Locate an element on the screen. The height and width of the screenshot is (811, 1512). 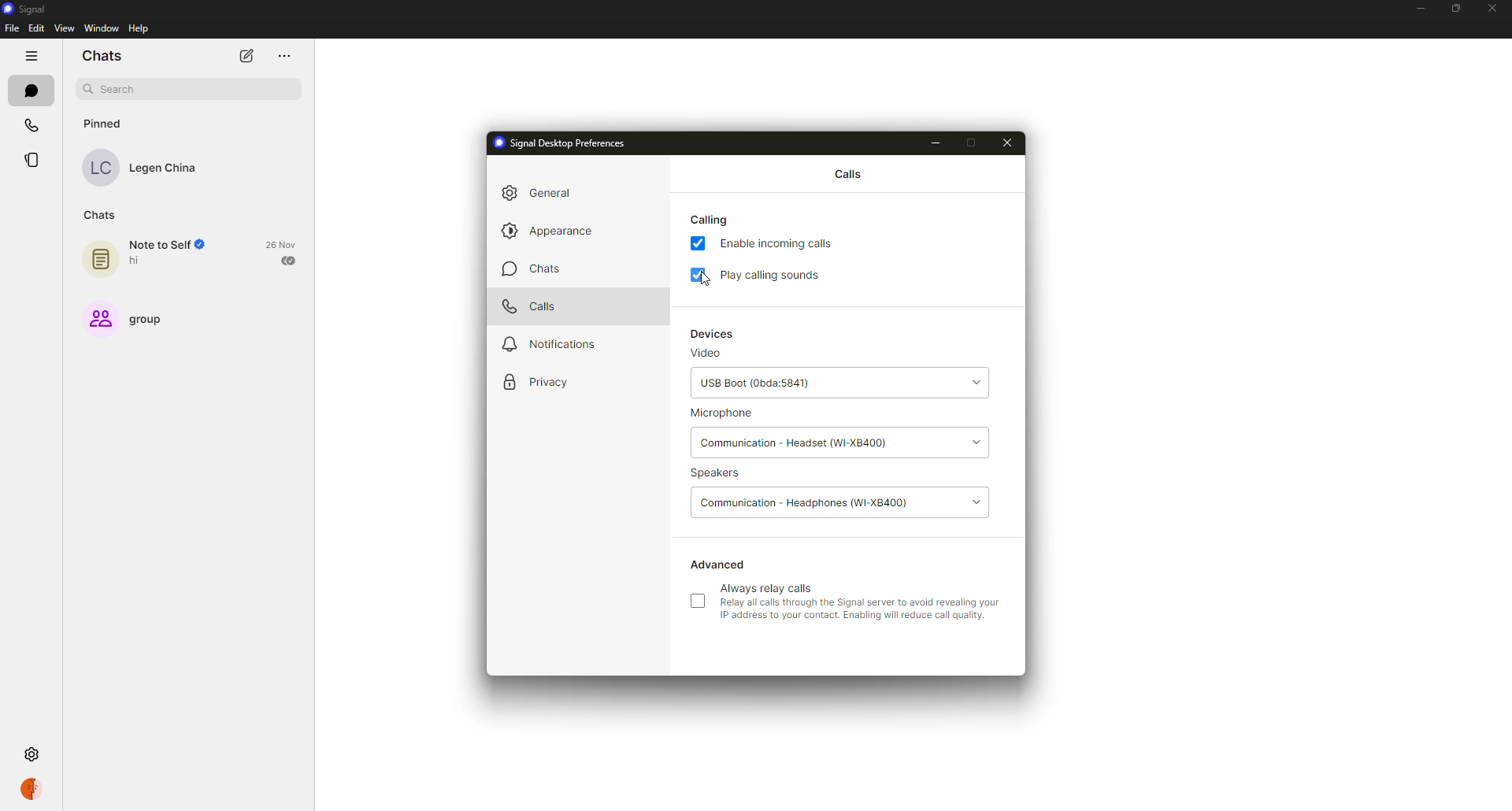
chats is located at coordinates (106, 57).